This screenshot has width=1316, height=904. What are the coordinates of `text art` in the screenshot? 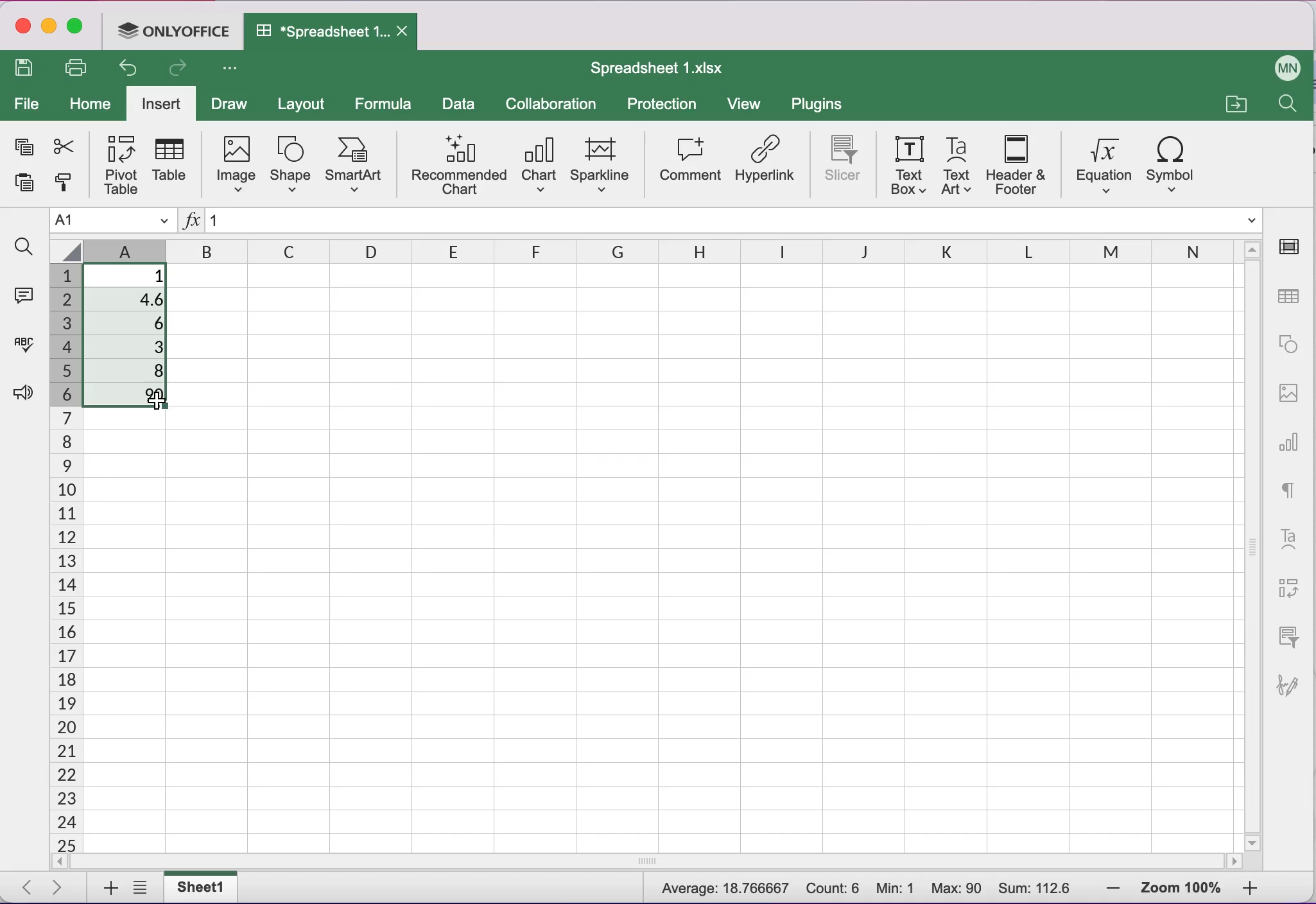 It's located at (956, 166).